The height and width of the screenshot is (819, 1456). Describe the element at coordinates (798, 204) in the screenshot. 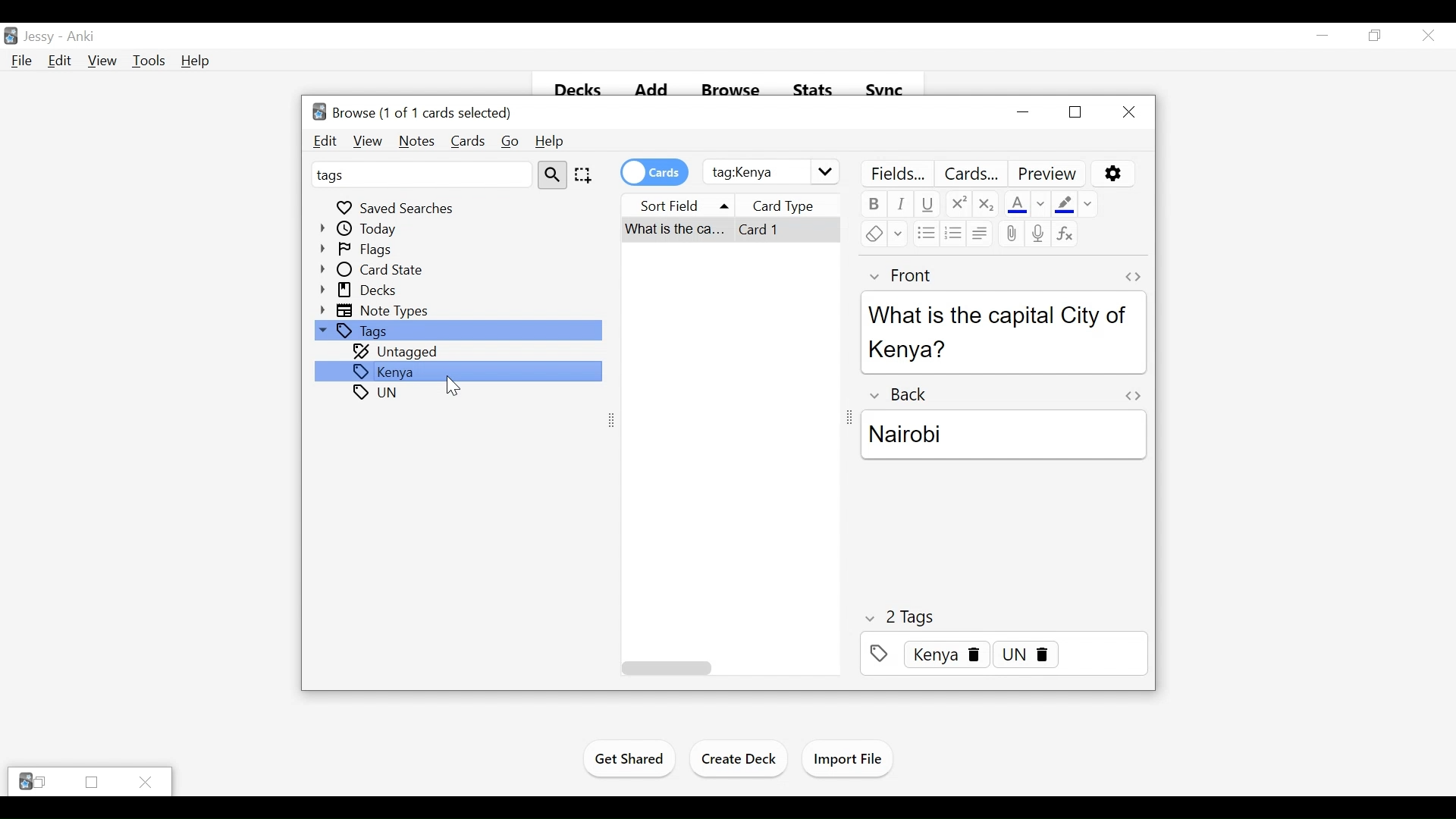

I see `card type` at that location.